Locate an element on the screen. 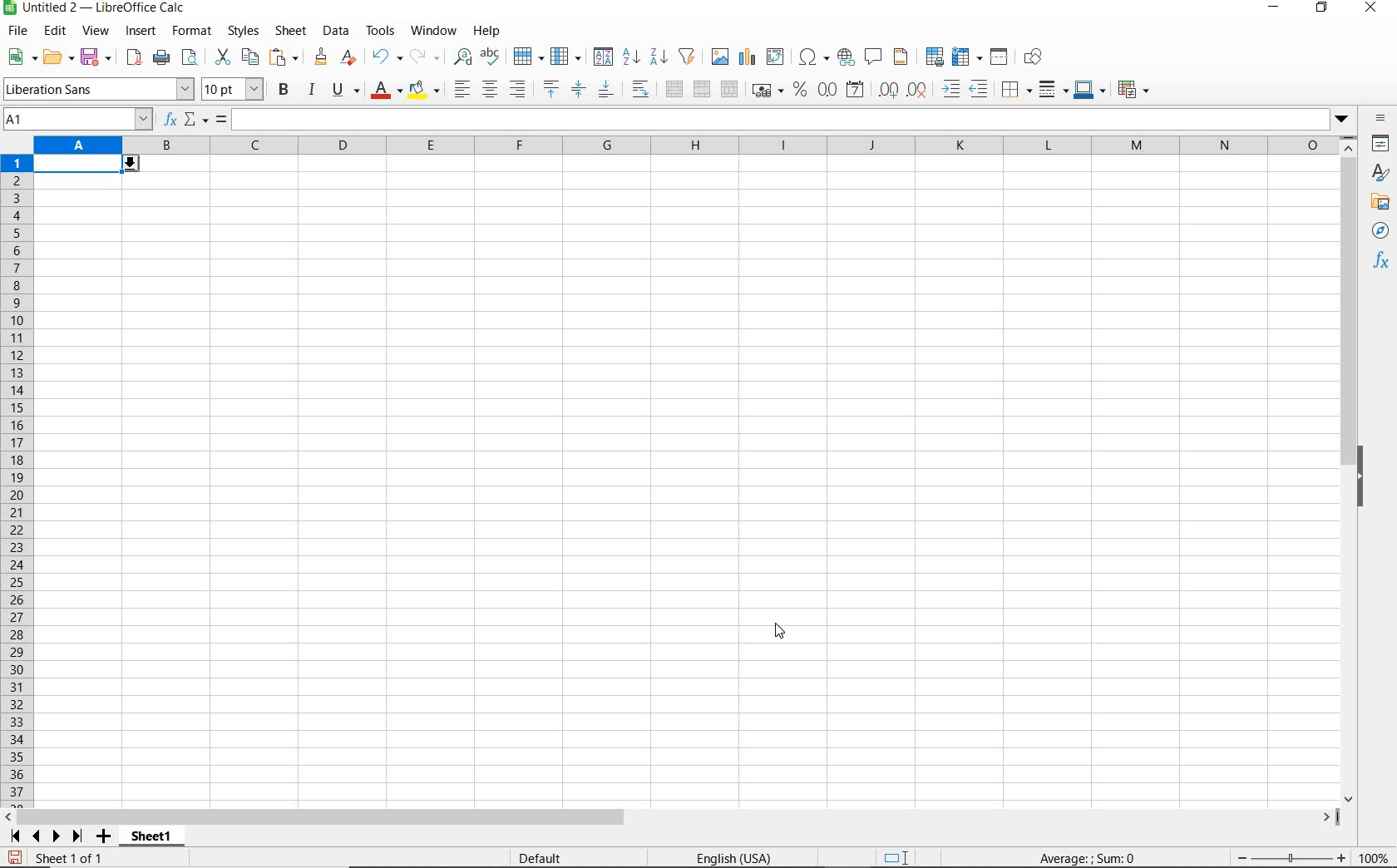  dropdown is located at coordinates (1343, 121).